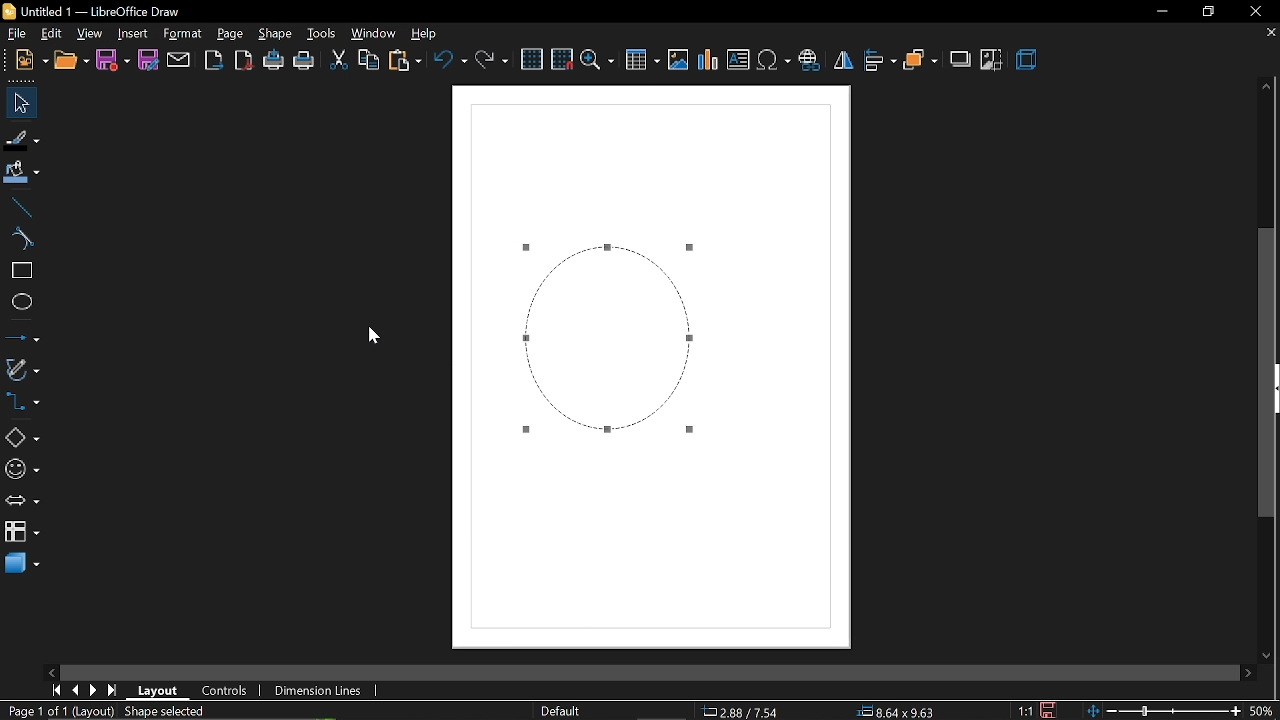 This screenshot has width=1280, height=720. What do you see at coordinates (164, 712) in the screenshot?
I see `shape selected` at bounding box center [164, 712].